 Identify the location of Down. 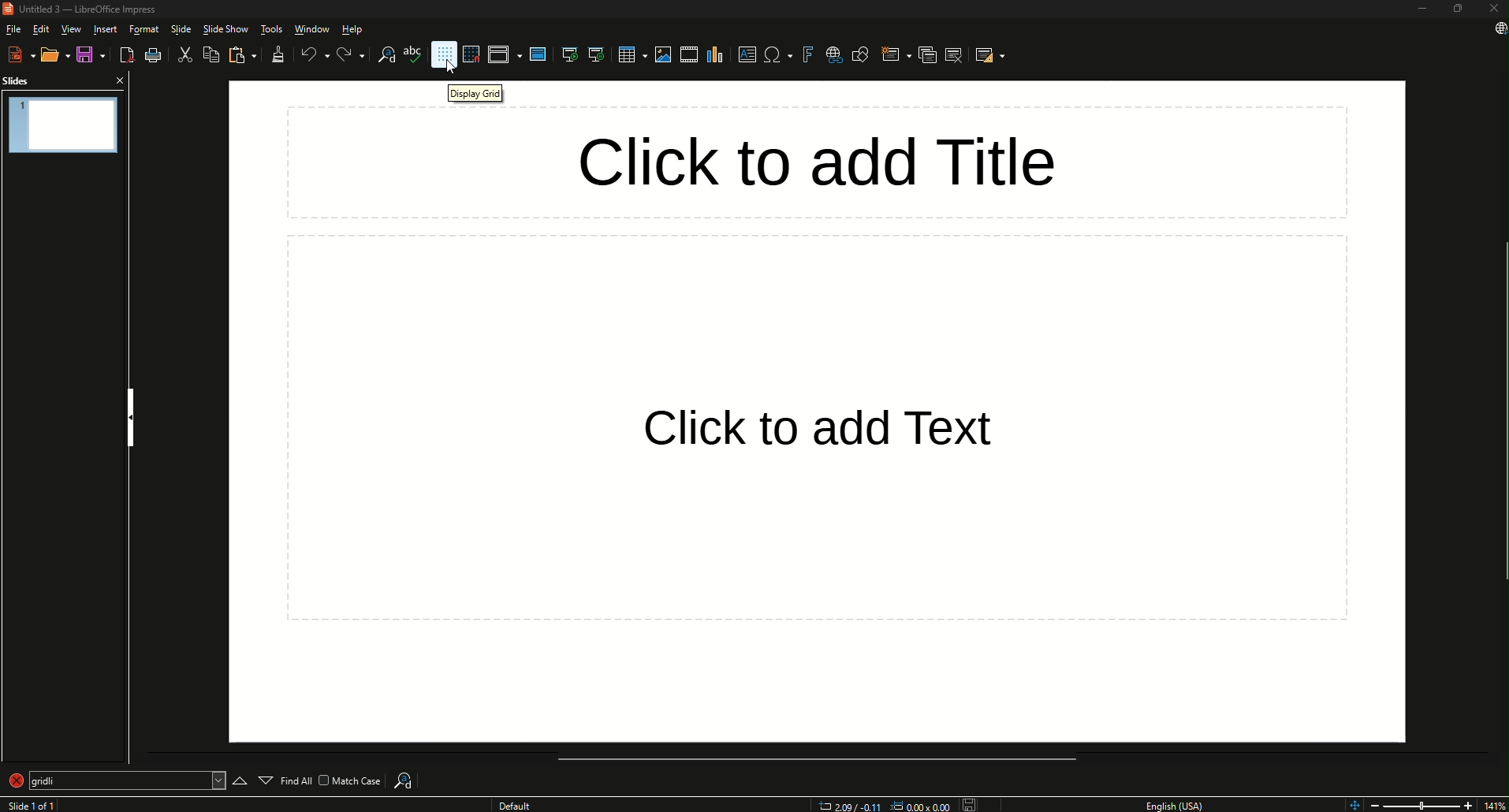
(265, 776).